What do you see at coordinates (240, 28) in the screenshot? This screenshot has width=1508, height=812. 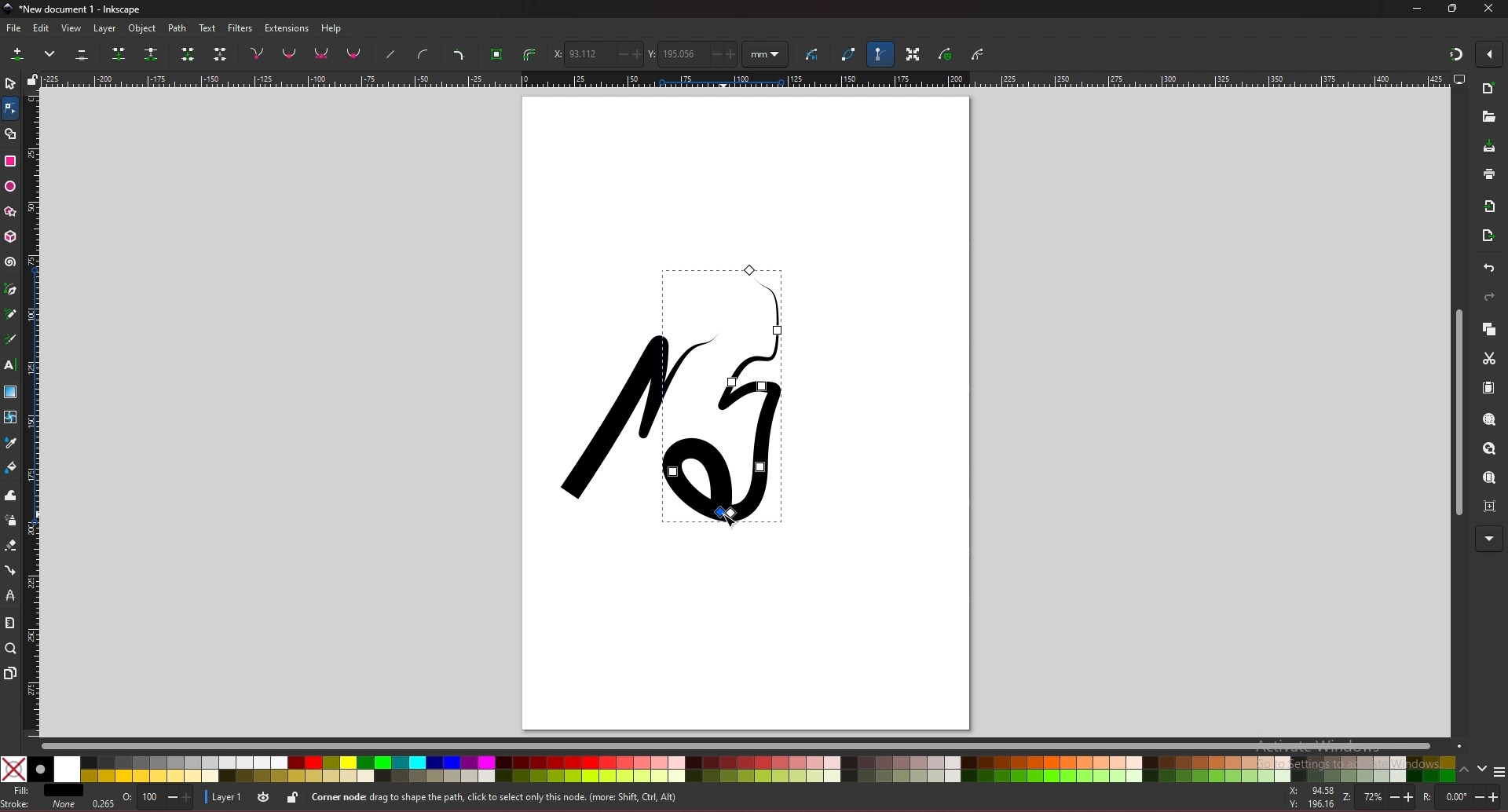 I see `filters` at bounding box center [240, 28].